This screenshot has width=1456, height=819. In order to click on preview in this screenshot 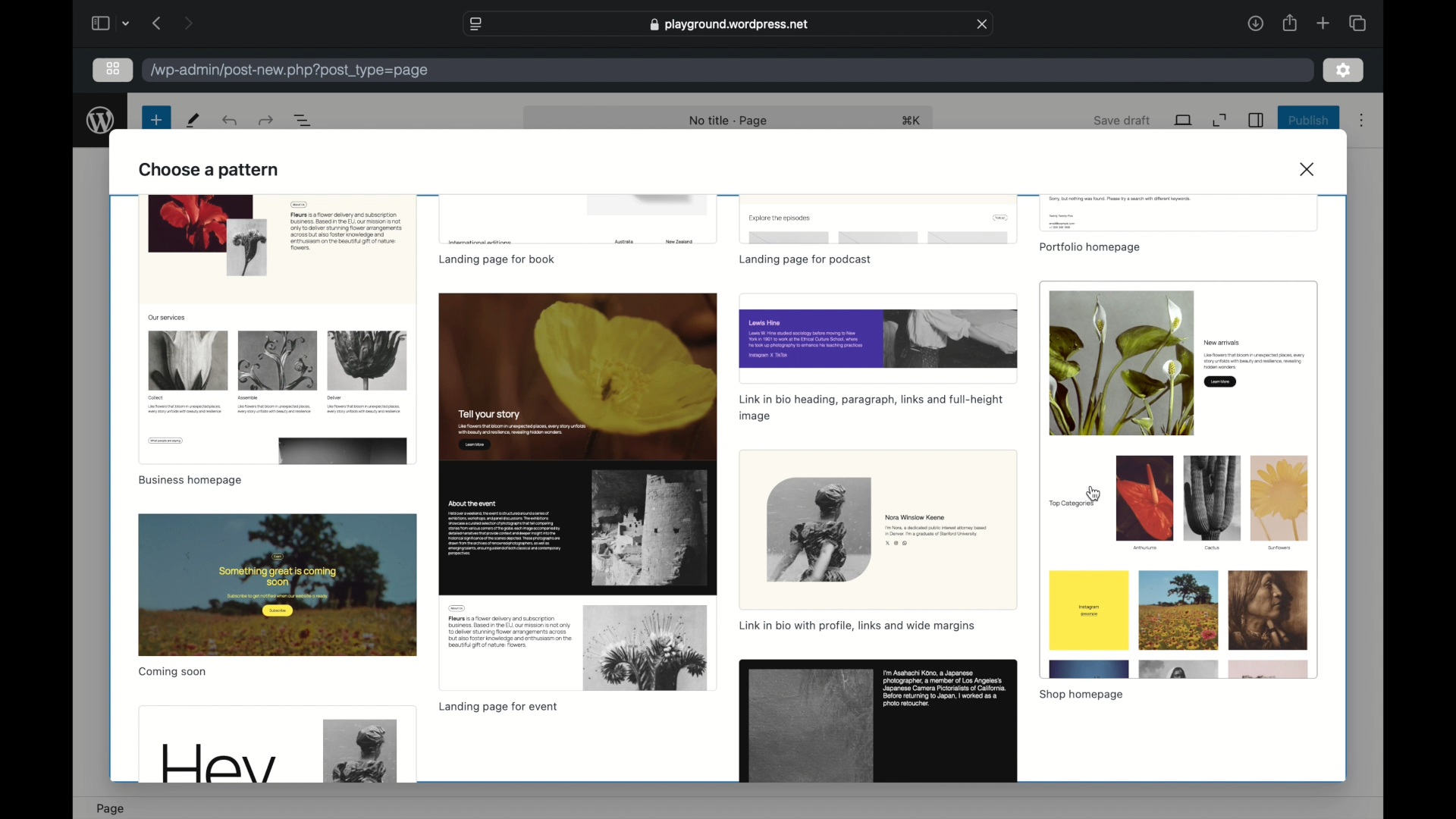, I will do `click(577, 219)`.